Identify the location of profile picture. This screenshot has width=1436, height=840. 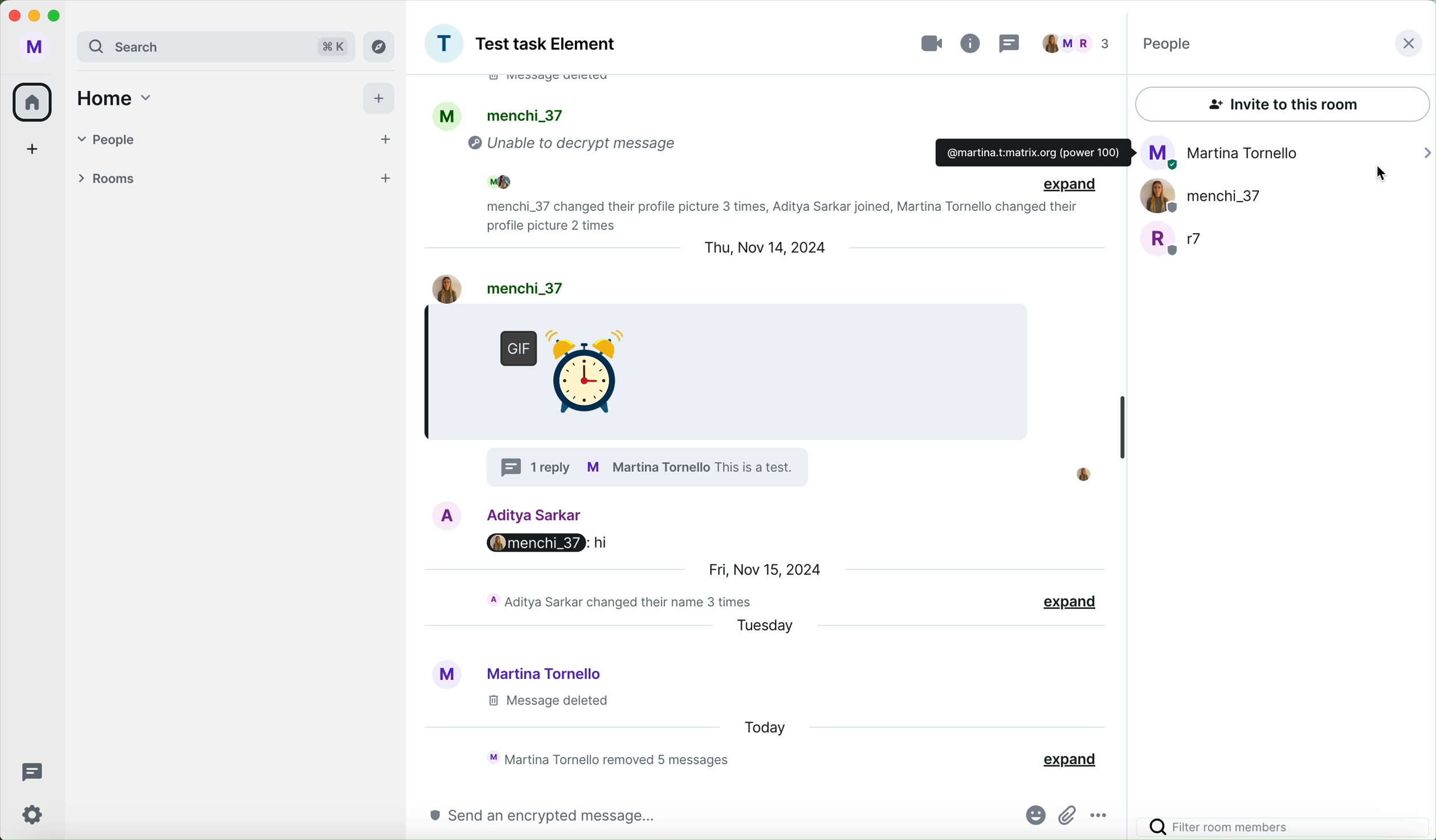
(1086, 472).